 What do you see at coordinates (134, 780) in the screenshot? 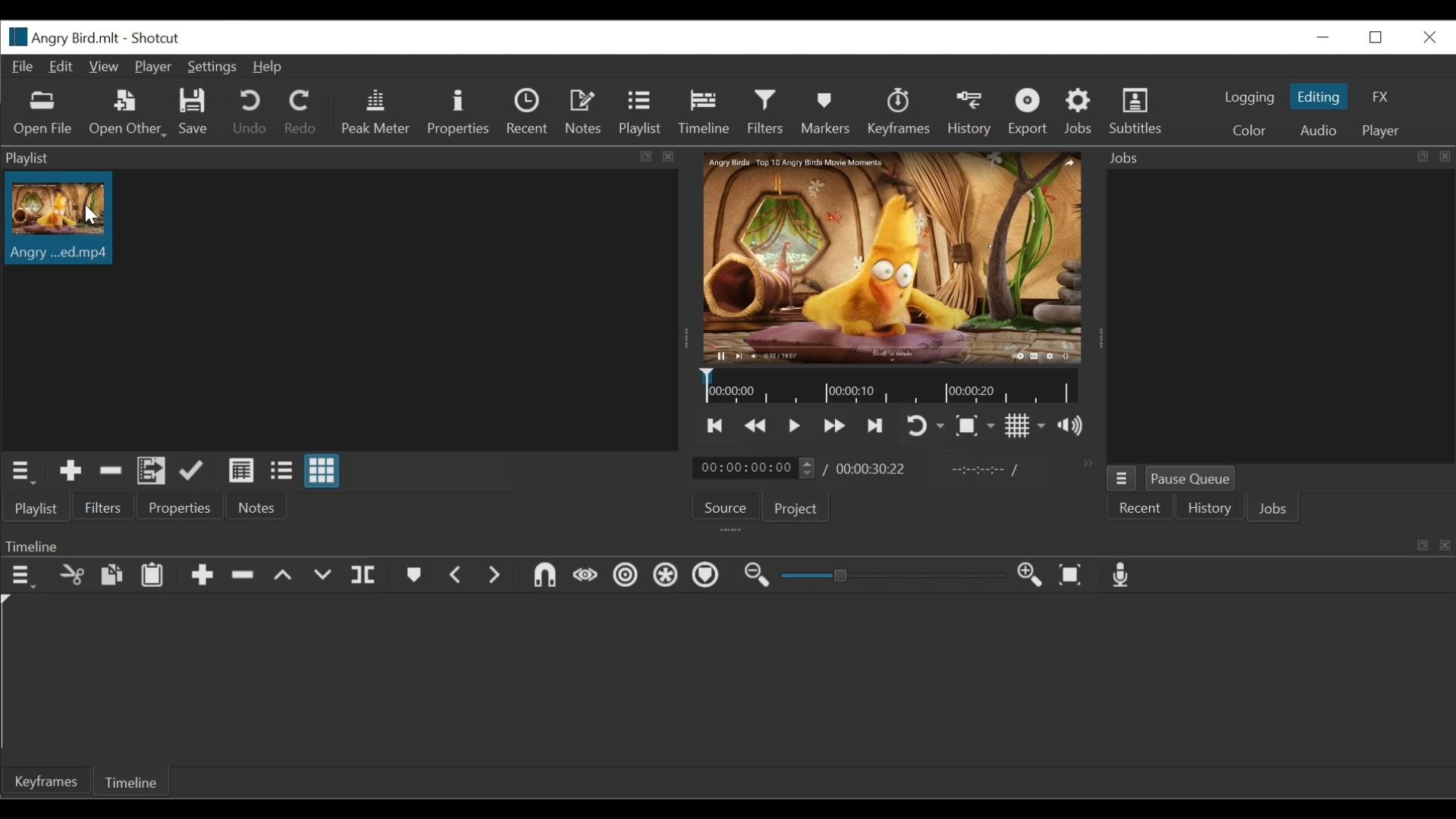
I see `Timeline` at bounding box center [134, 780].